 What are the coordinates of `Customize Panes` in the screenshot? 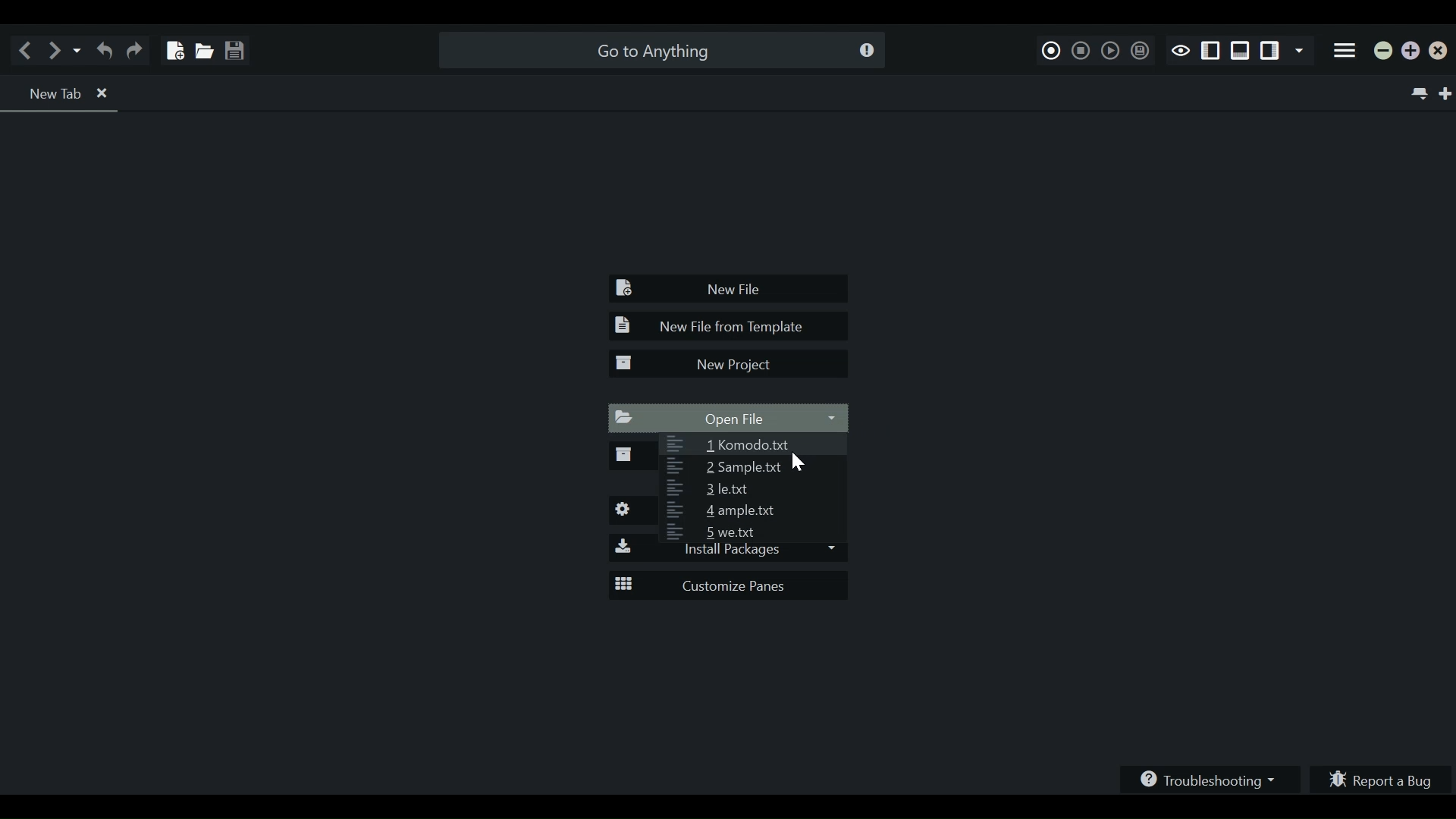 It's located at (730, 586).